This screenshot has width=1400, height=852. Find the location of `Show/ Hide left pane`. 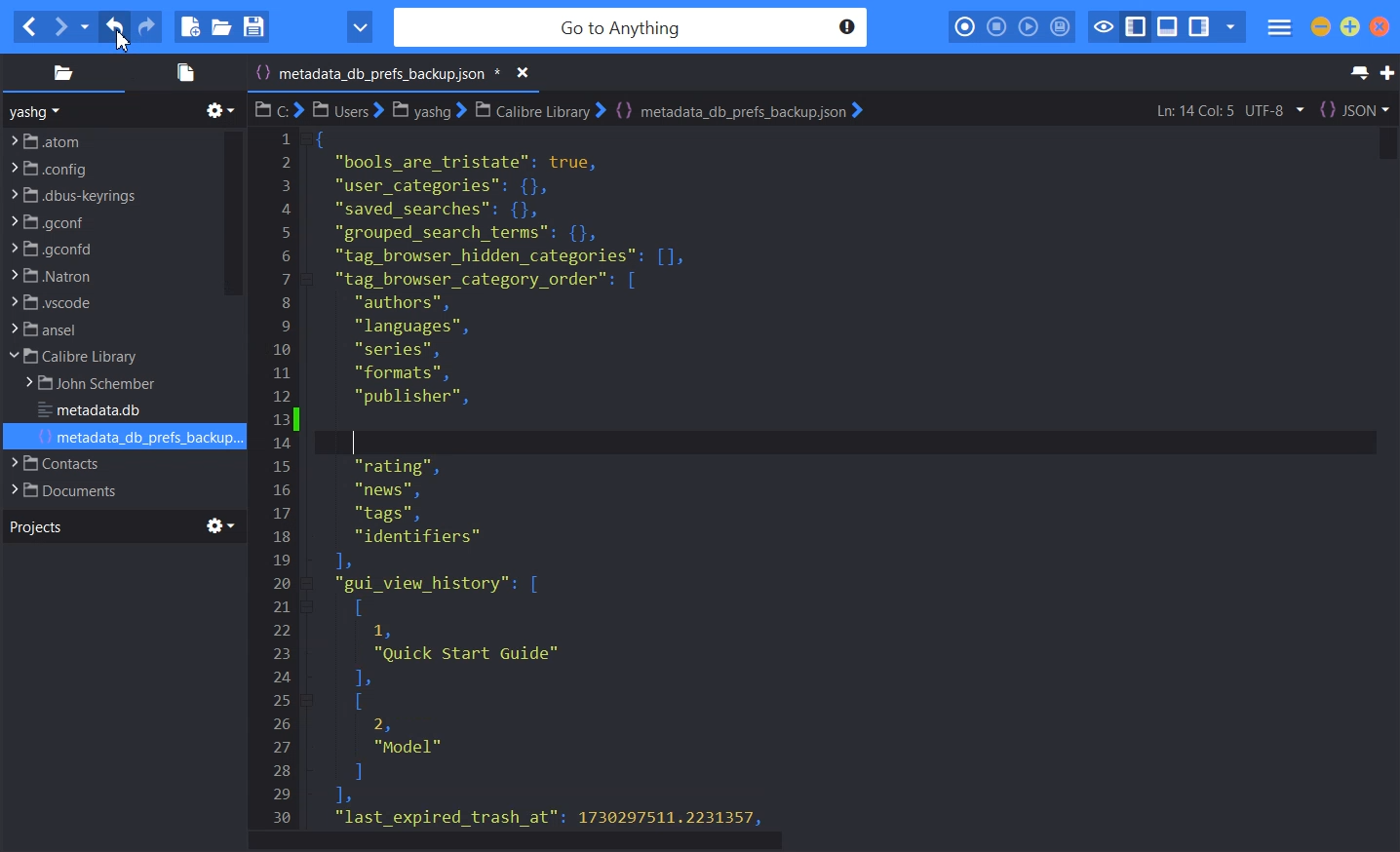

Show/ Hide left pane is located at coordinates (1136, 27).